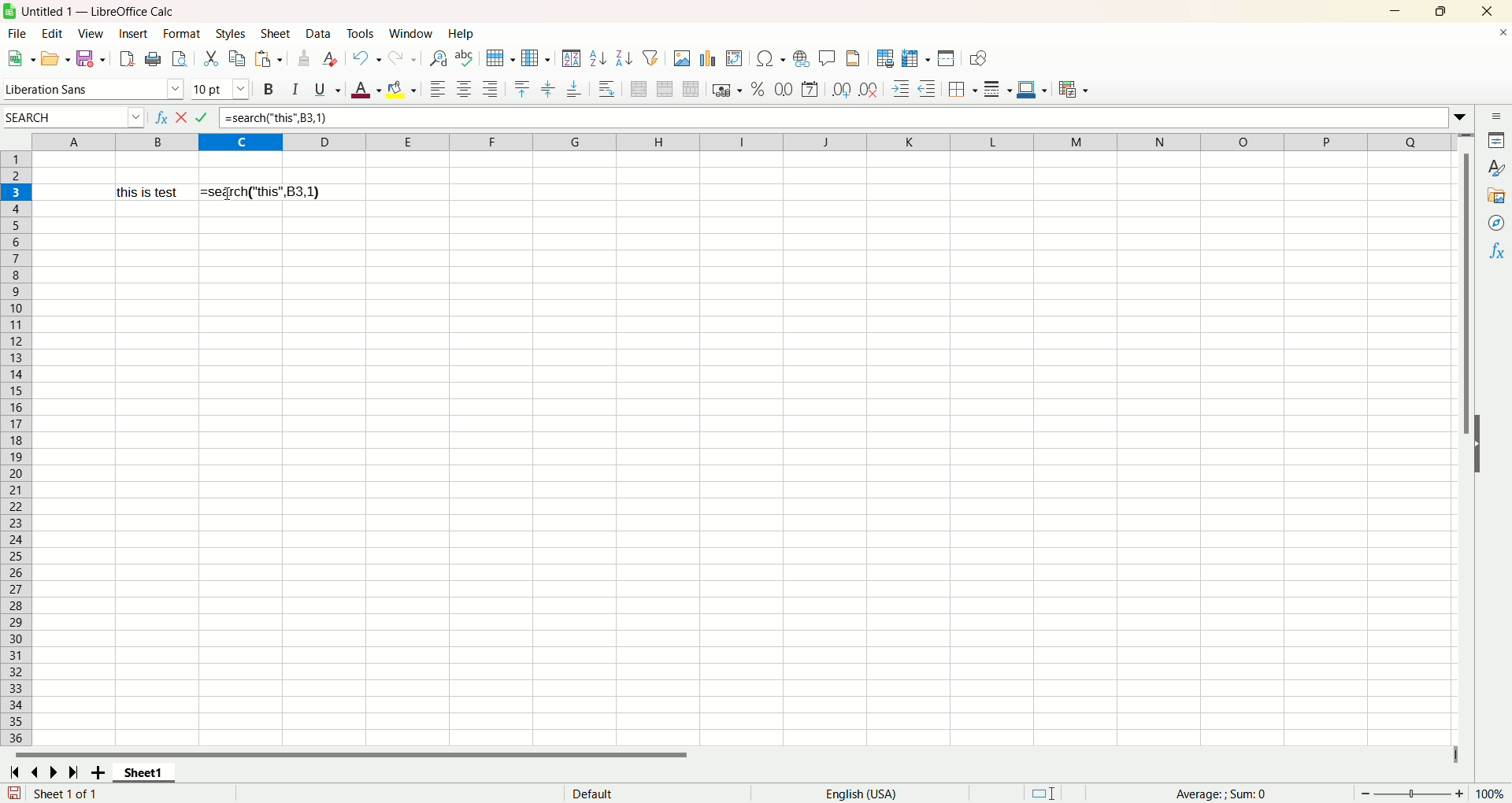 This screenshot has height=803, width=1512. Describe the element at coordinates (153, 60) in the screenshot. I see `print` at that location.